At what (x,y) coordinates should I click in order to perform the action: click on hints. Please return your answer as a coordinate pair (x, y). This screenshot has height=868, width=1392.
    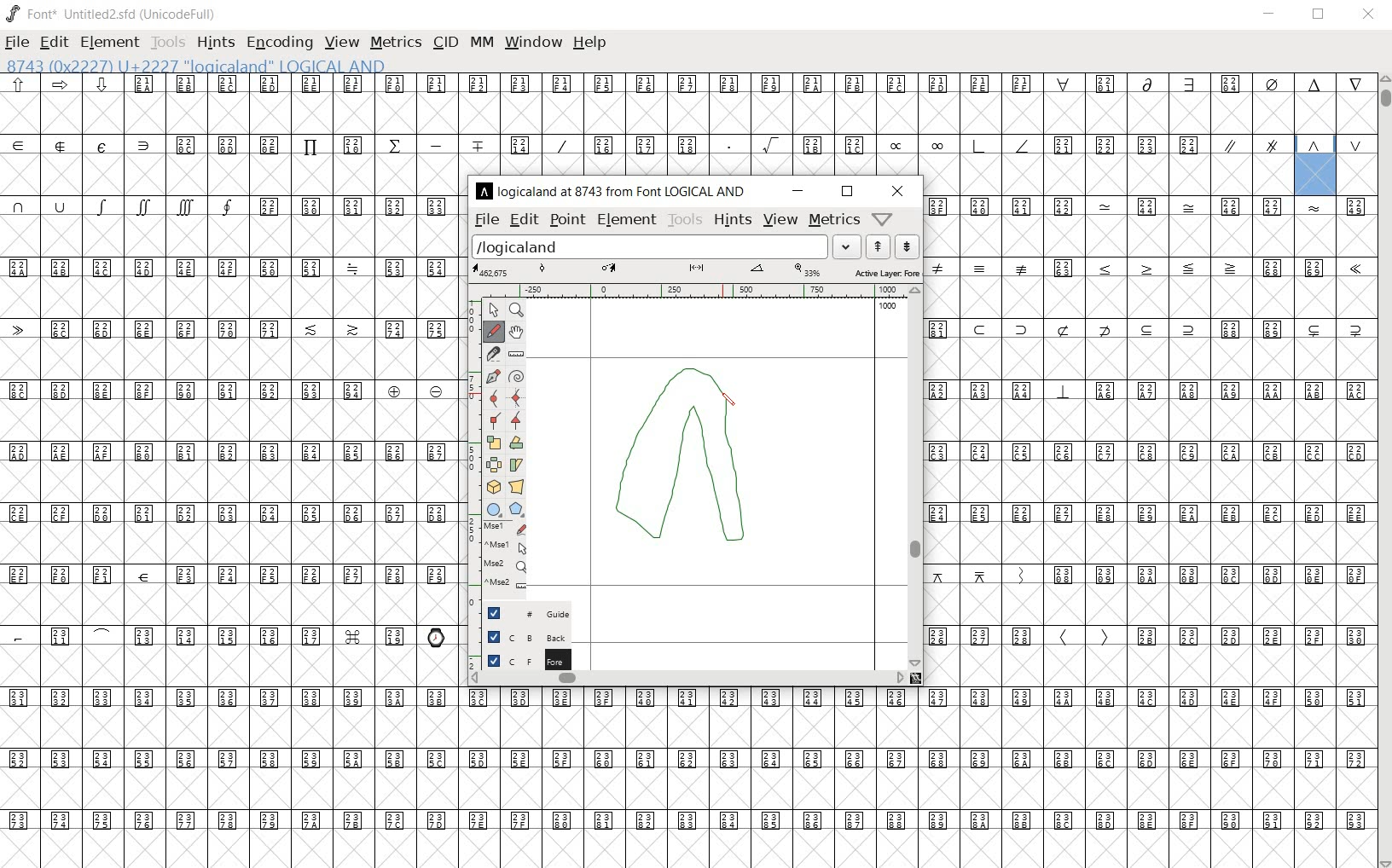
    Looking at the image, I should click on (731, 222).